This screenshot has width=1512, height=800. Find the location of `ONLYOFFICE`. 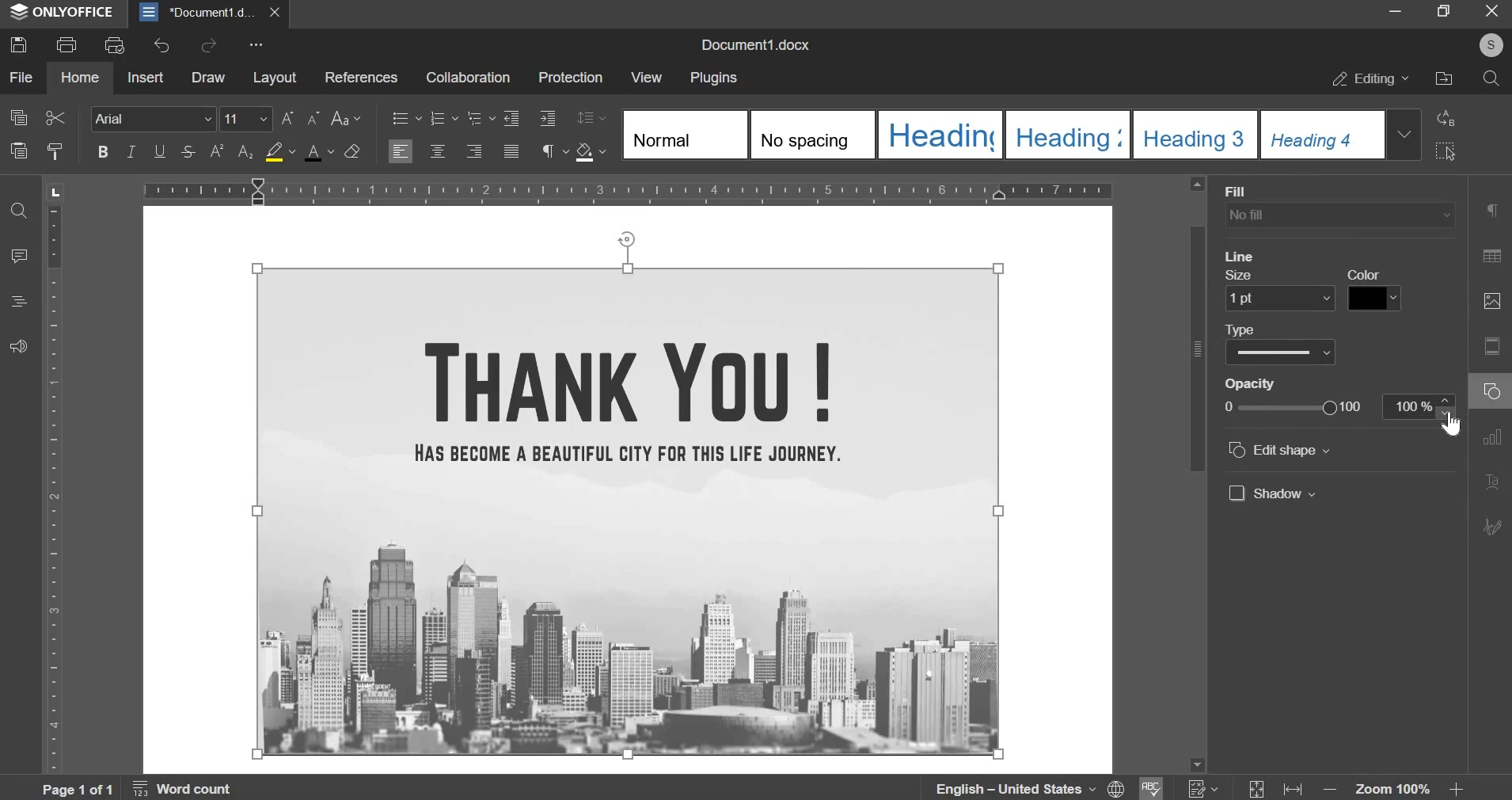

ONLYOFFICE is located at coordinates (65, 13).